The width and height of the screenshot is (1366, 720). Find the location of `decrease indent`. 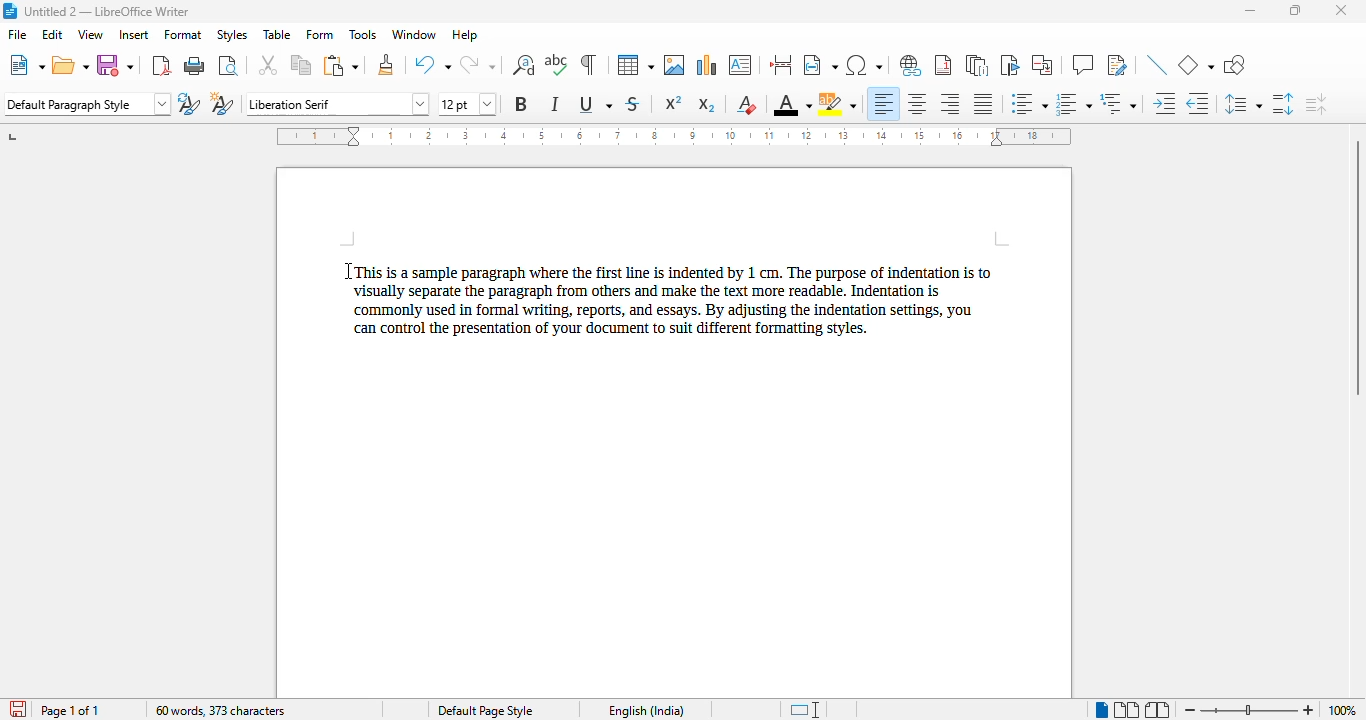

decrease indent is located at coordinates (1196, 103).